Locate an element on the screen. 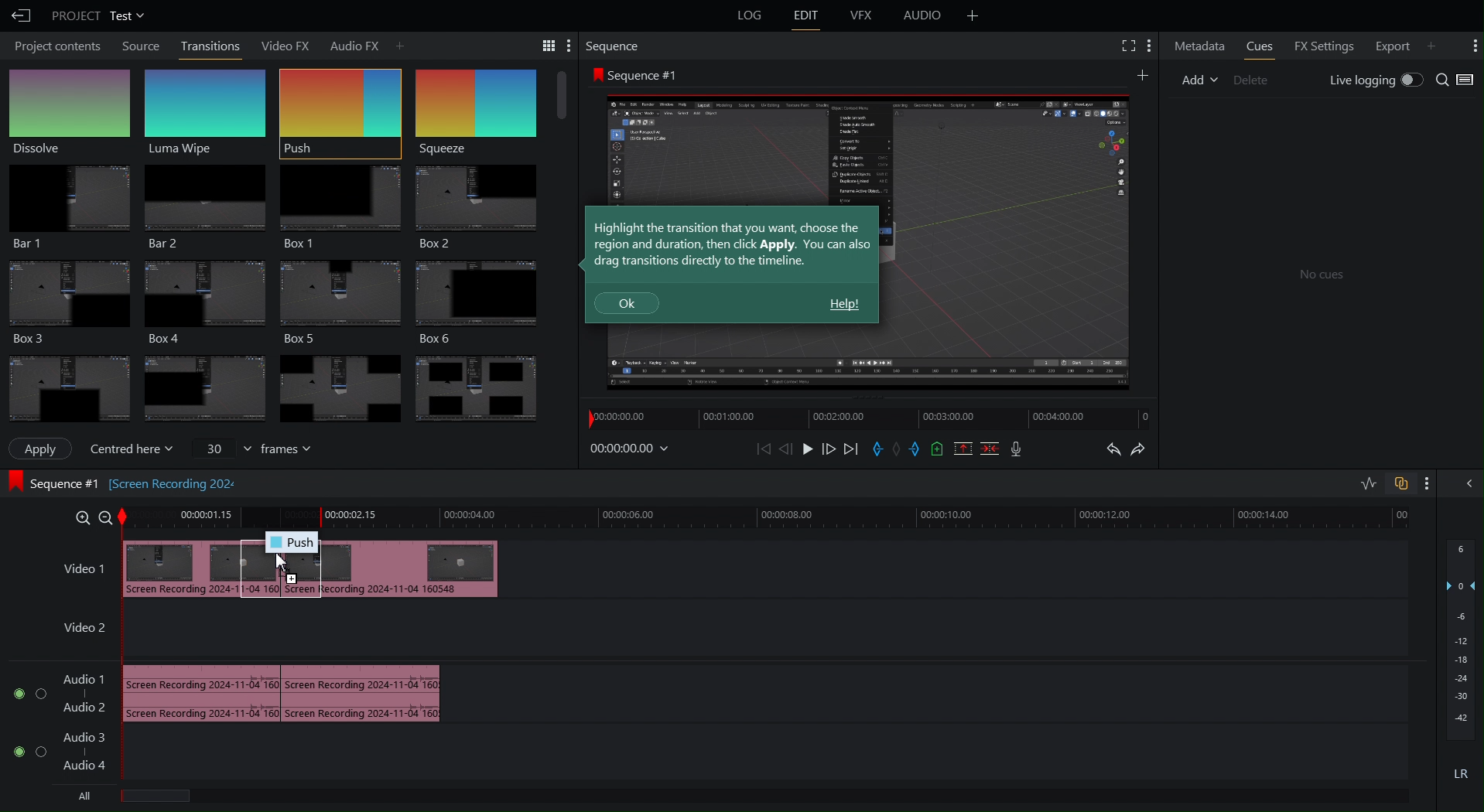  Add is located at coordinates (973, 15).